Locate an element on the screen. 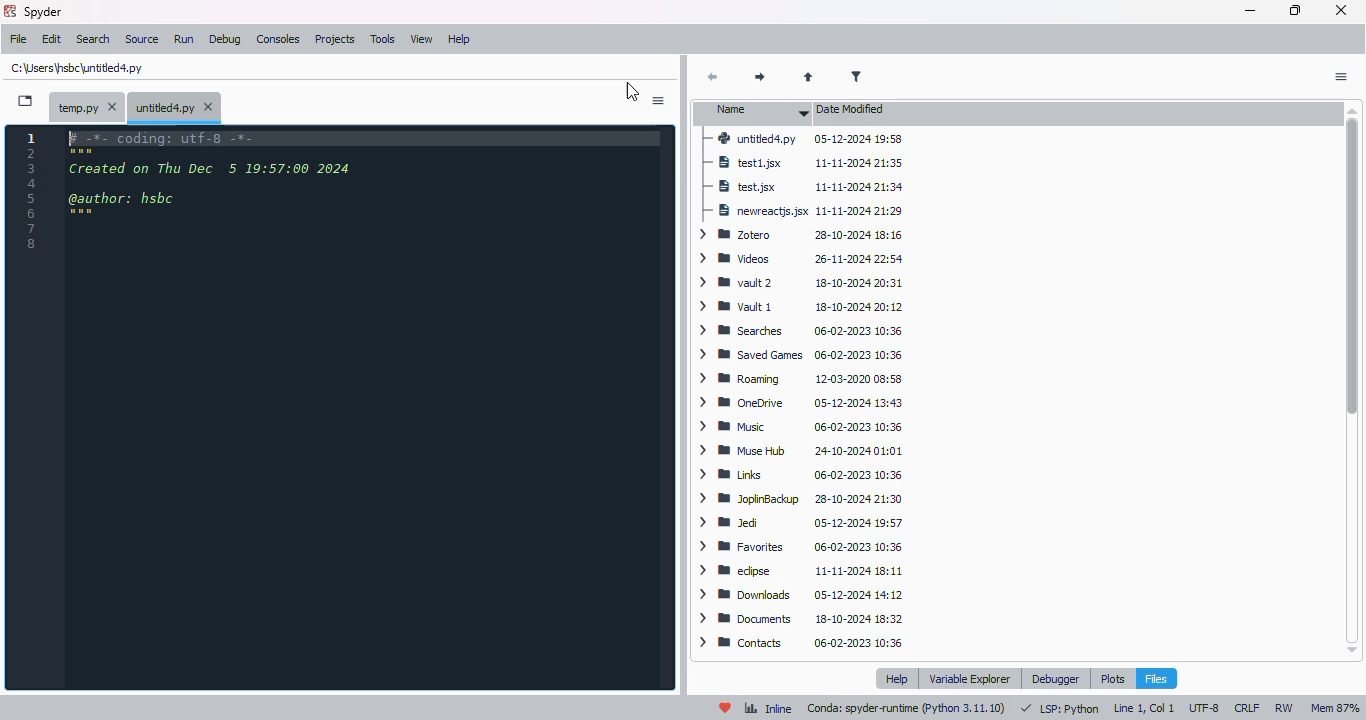 This screenshot has height=720, width=1366. test1.jsx is located at coordinates (806, 212).